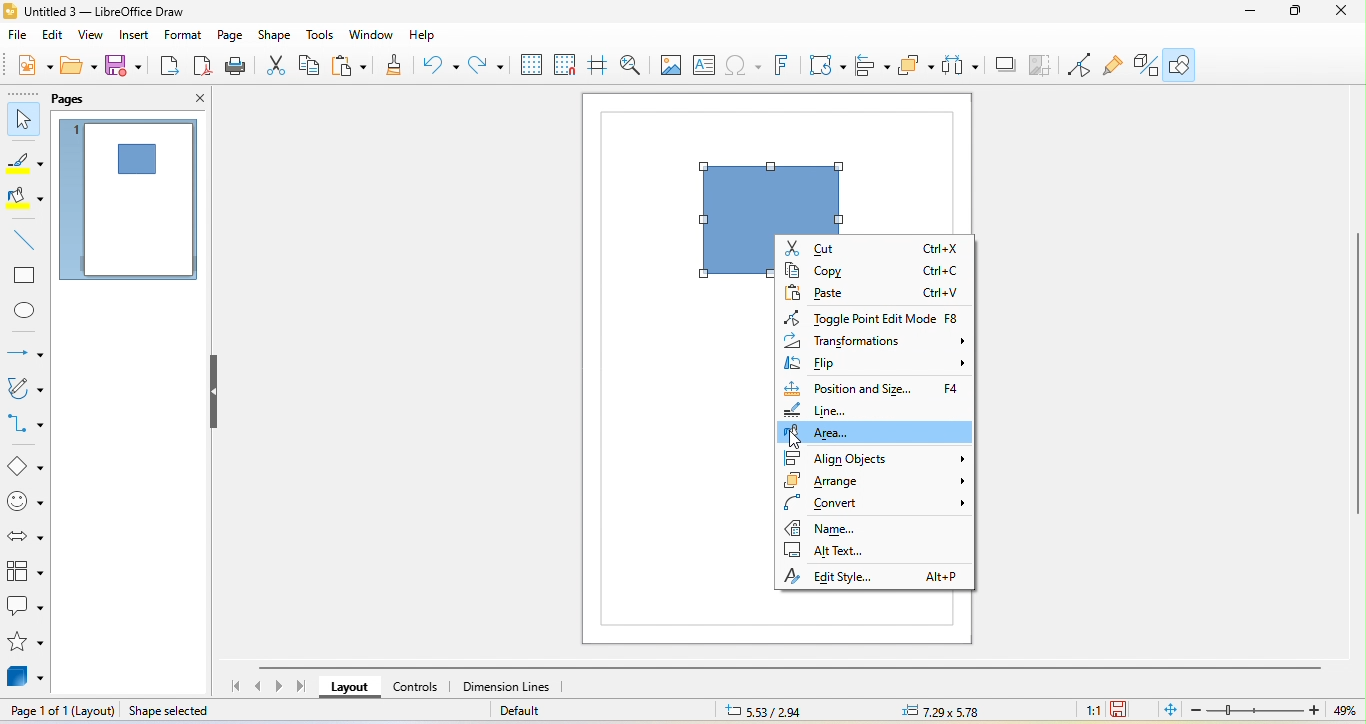 This screenshot has width=1366, height=724. Describe the element at coordinates (876, 481) in the screenshot. I see `arrange` at that location.